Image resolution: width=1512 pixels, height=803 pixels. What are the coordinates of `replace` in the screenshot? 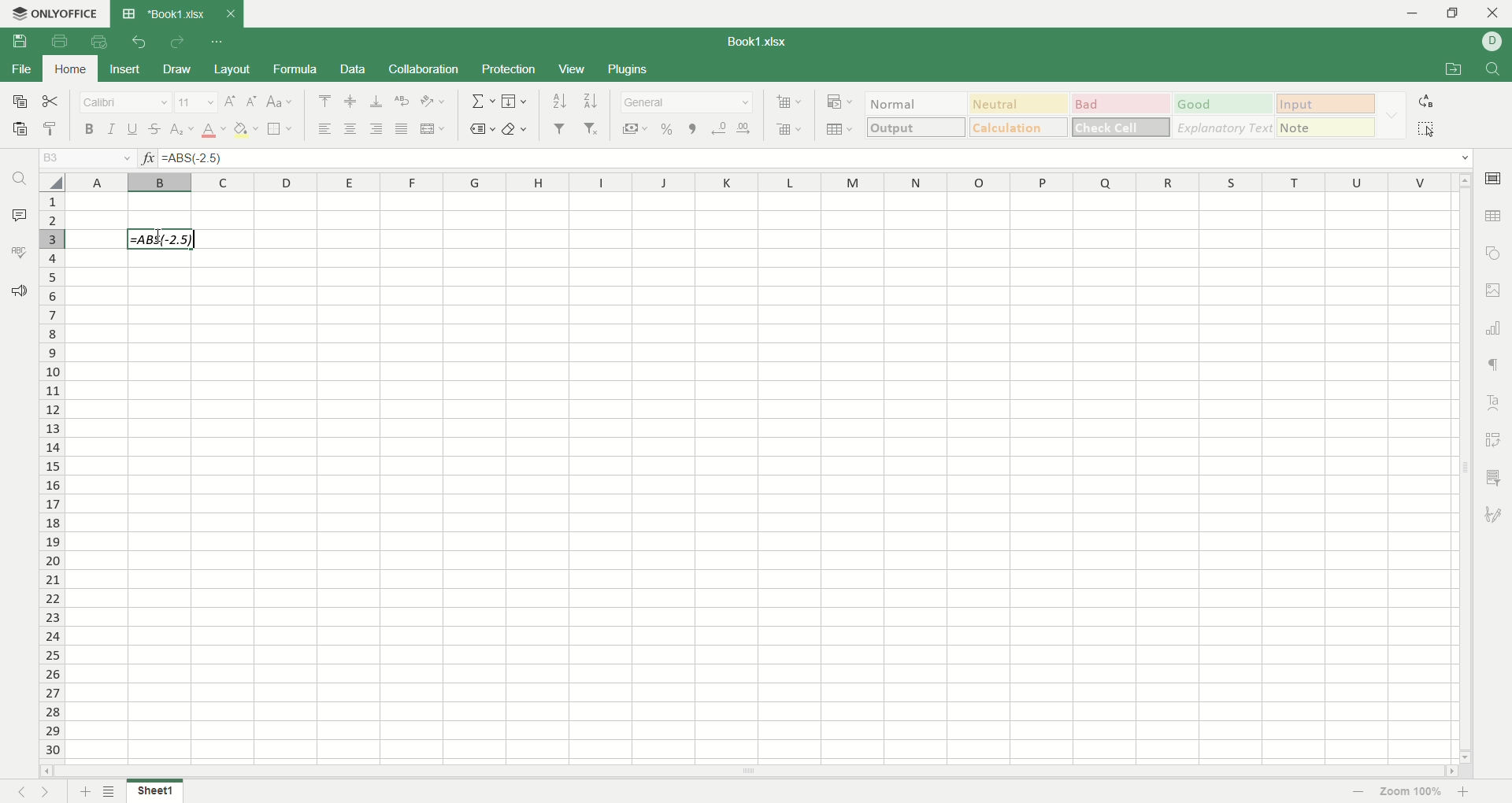 It's located at (1425, 102).